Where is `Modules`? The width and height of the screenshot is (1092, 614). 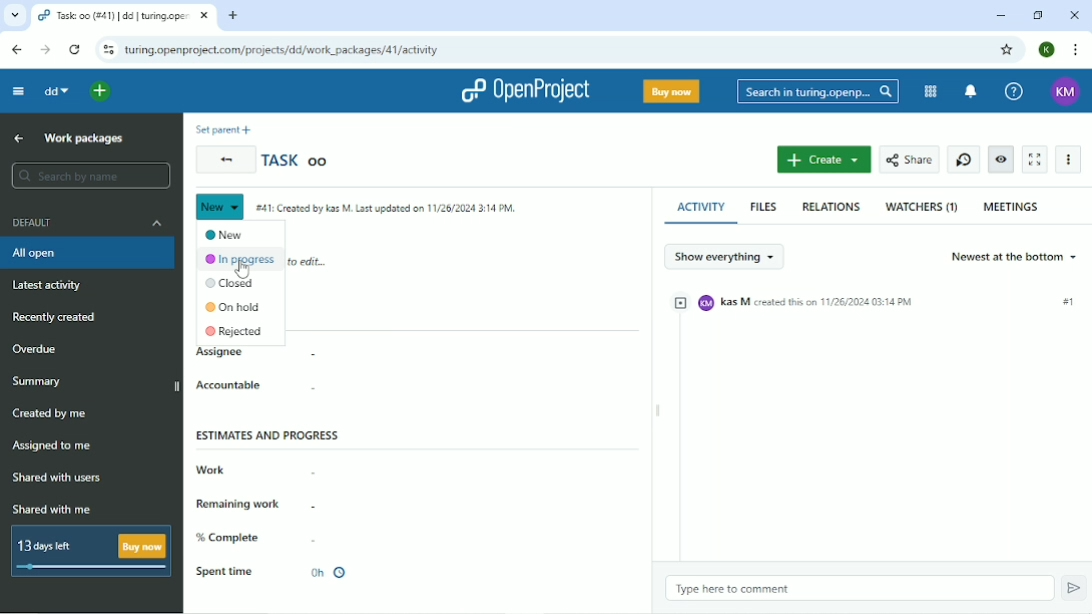
Modules is located at coordinates (931, 91).